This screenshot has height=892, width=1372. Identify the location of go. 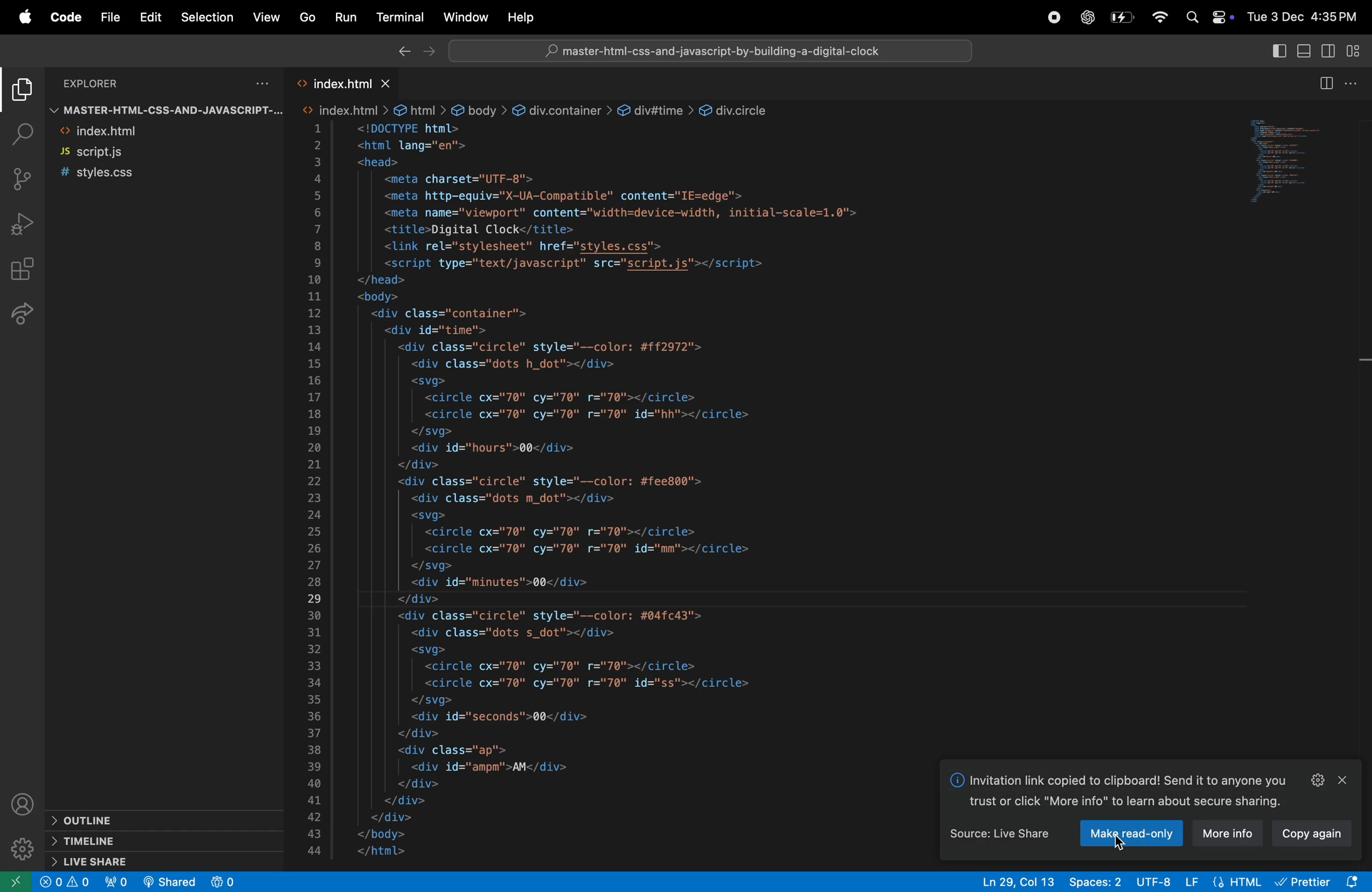
(308, 19).